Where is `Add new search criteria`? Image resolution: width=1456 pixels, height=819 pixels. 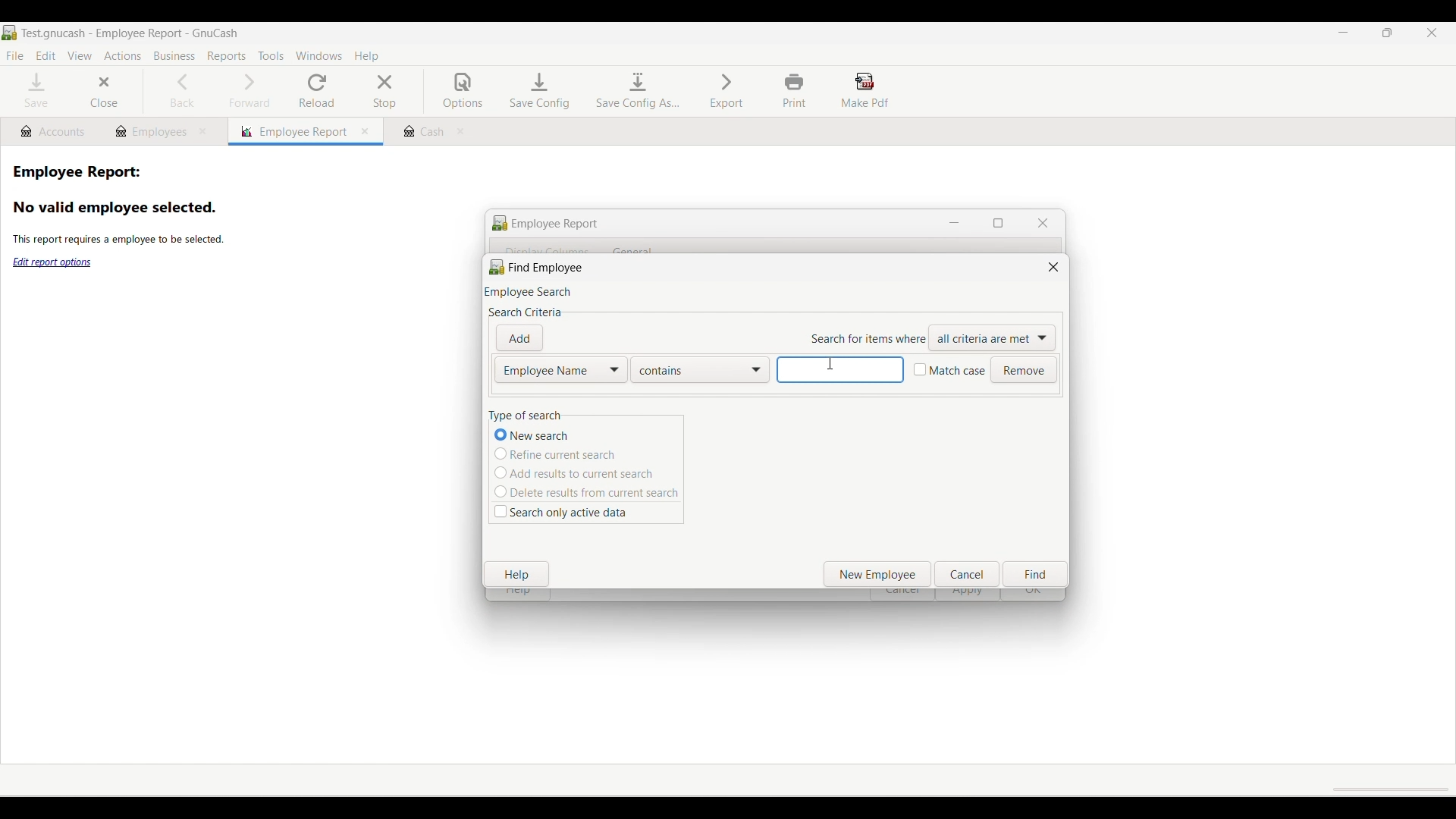
Add new search criteria is located at coordinates (519, 338).